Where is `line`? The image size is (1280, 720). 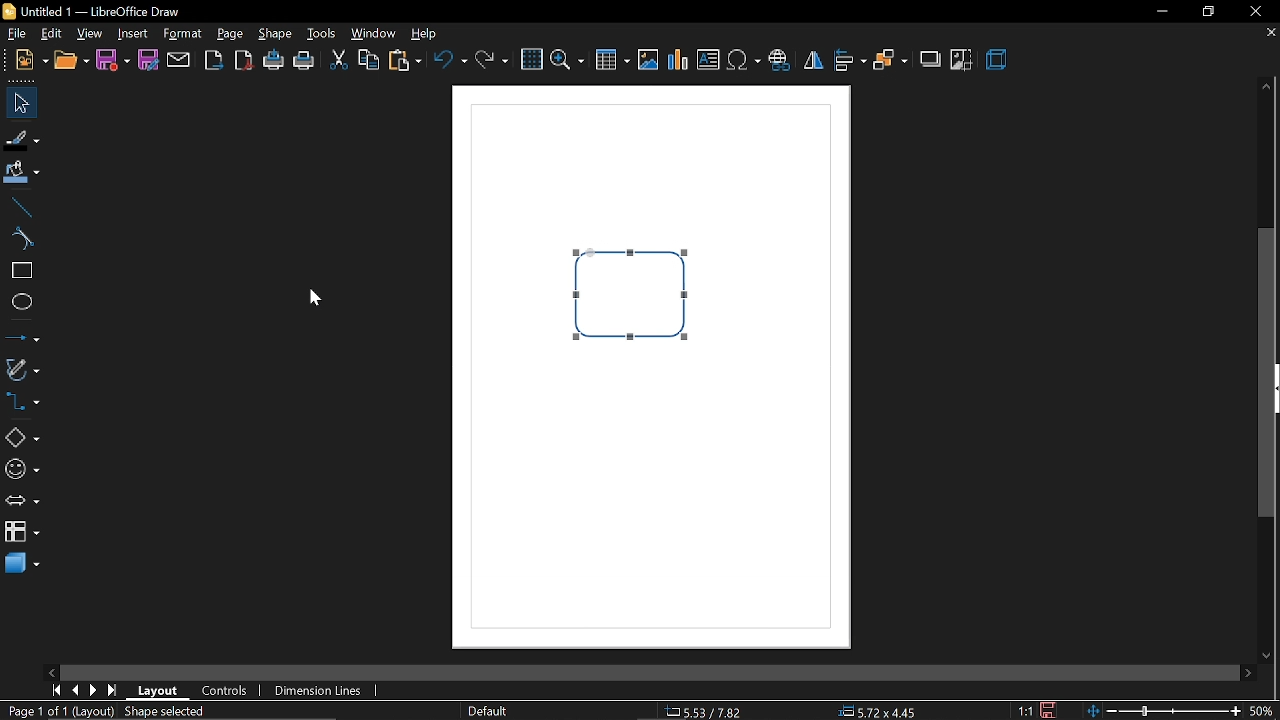 line is located at coordinates (22, 208).